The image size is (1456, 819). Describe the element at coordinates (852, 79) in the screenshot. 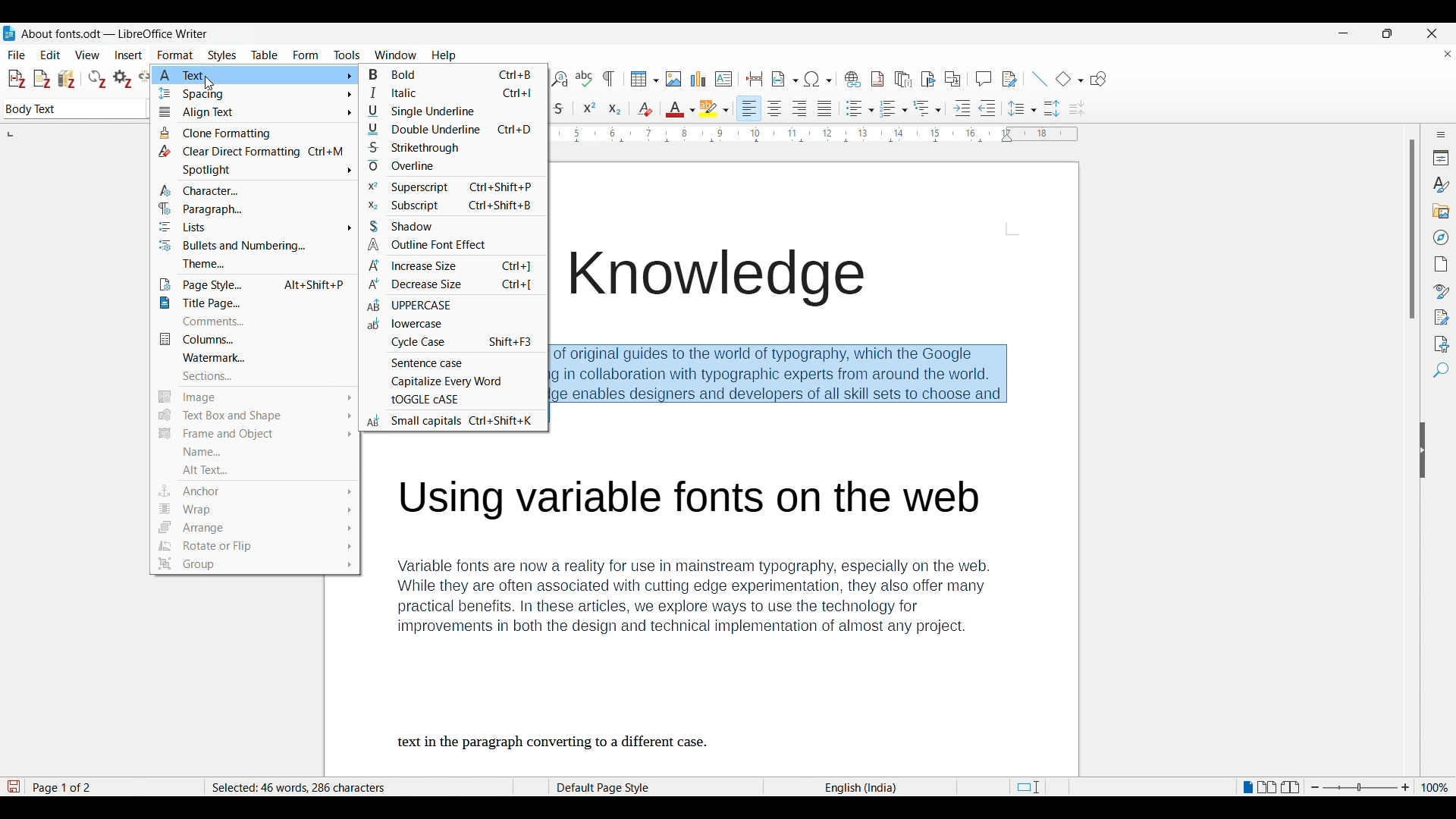

I see `Insert hyperlink` at that location.